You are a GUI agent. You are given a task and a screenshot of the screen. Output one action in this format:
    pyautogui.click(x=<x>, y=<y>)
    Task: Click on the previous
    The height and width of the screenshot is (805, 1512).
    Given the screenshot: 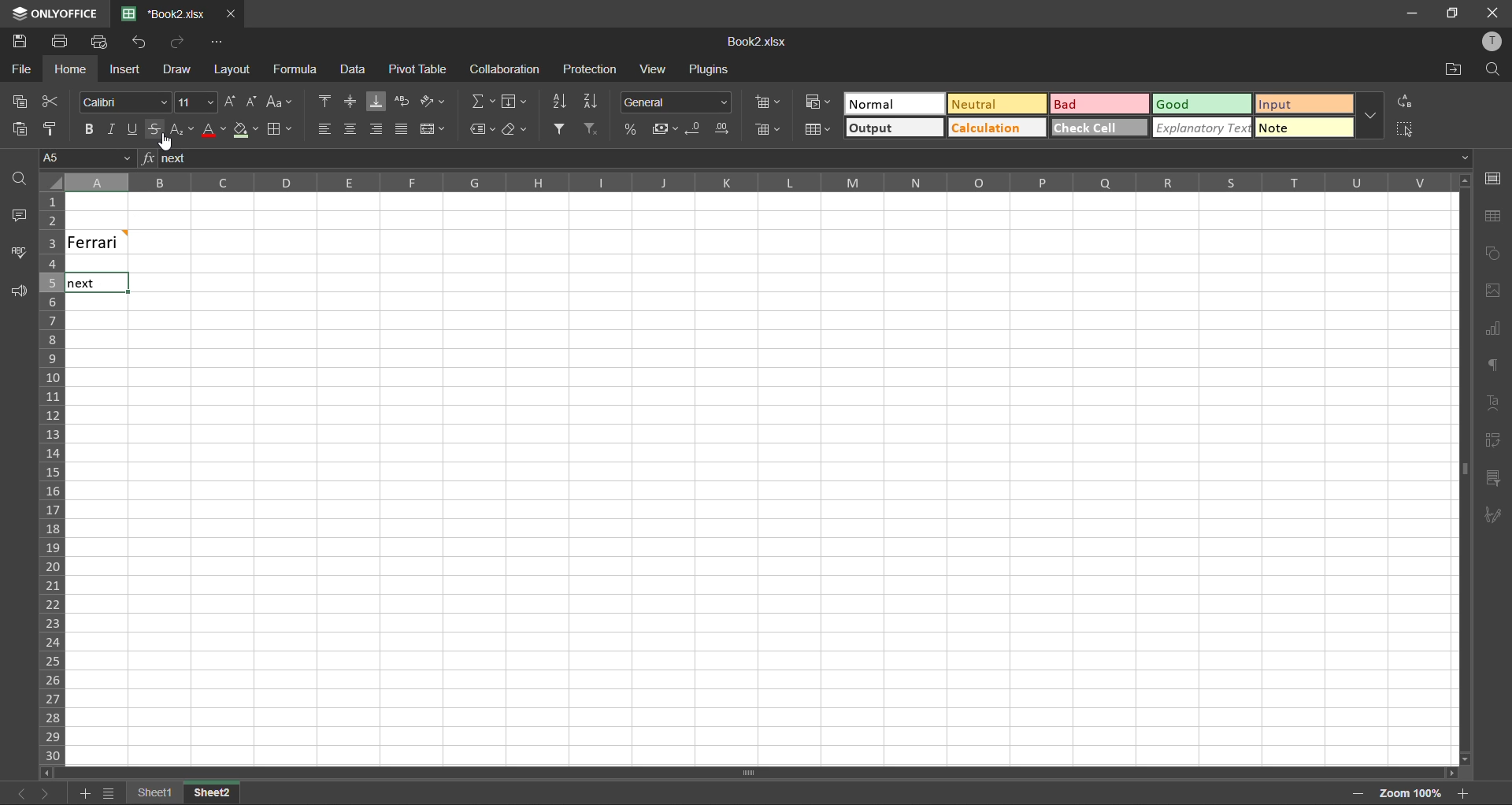 What is the action you would take?
    pyautogui.click(x=15, y=793)
    